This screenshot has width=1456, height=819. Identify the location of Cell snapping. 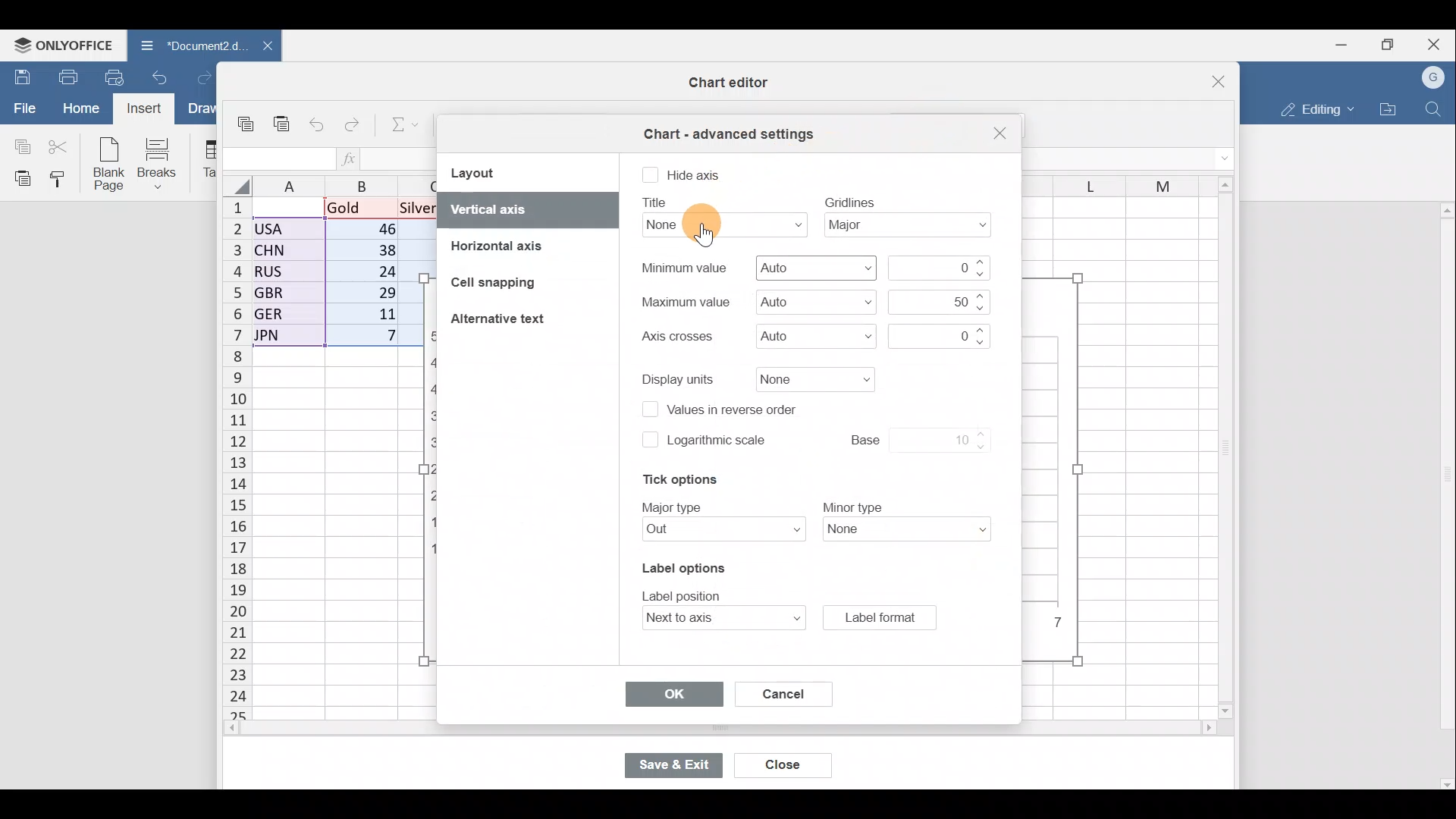
(485, 282).